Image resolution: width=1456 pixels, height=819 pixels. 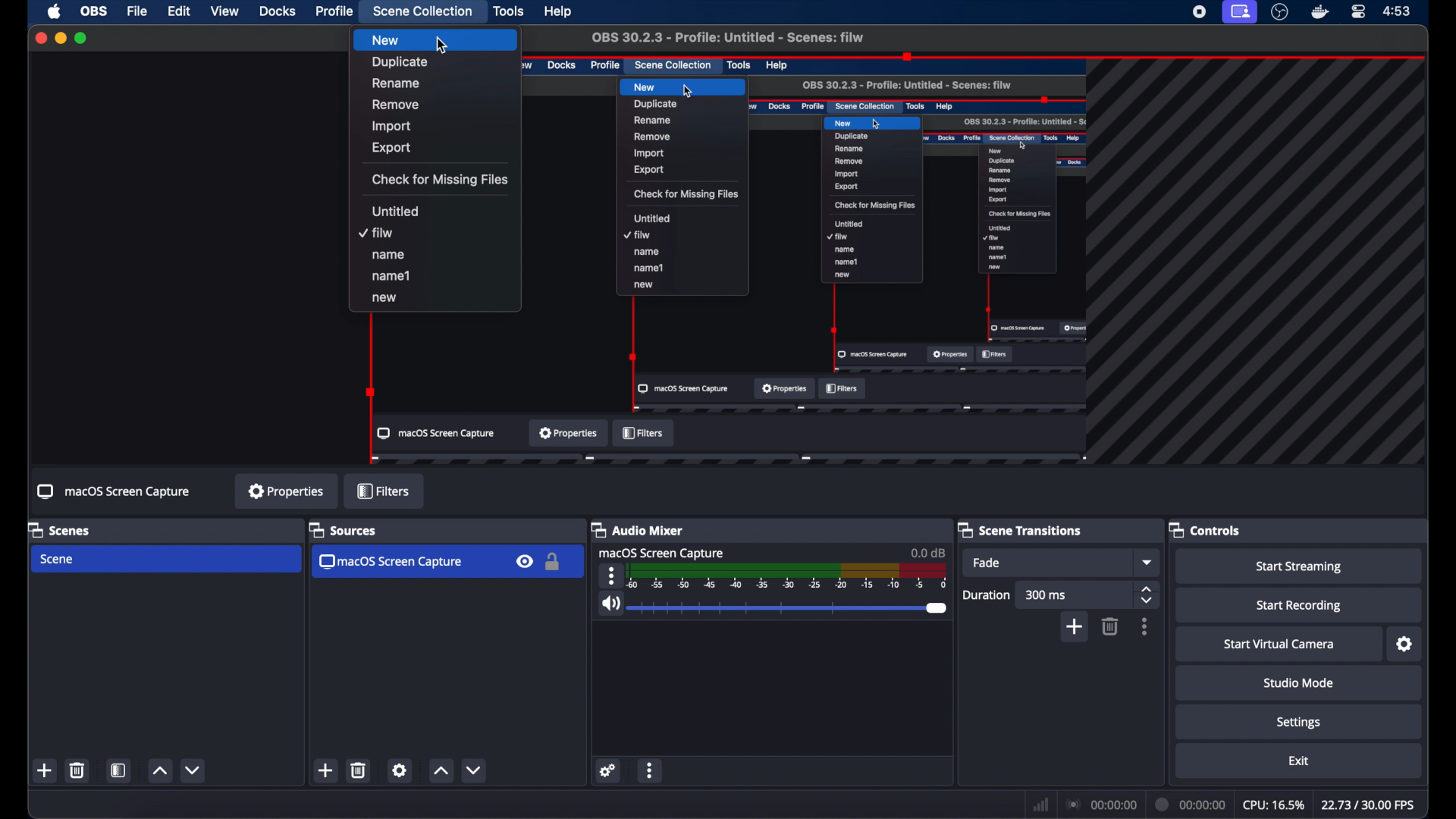 I want to click on start streaming, so click(x=1297, y=565).